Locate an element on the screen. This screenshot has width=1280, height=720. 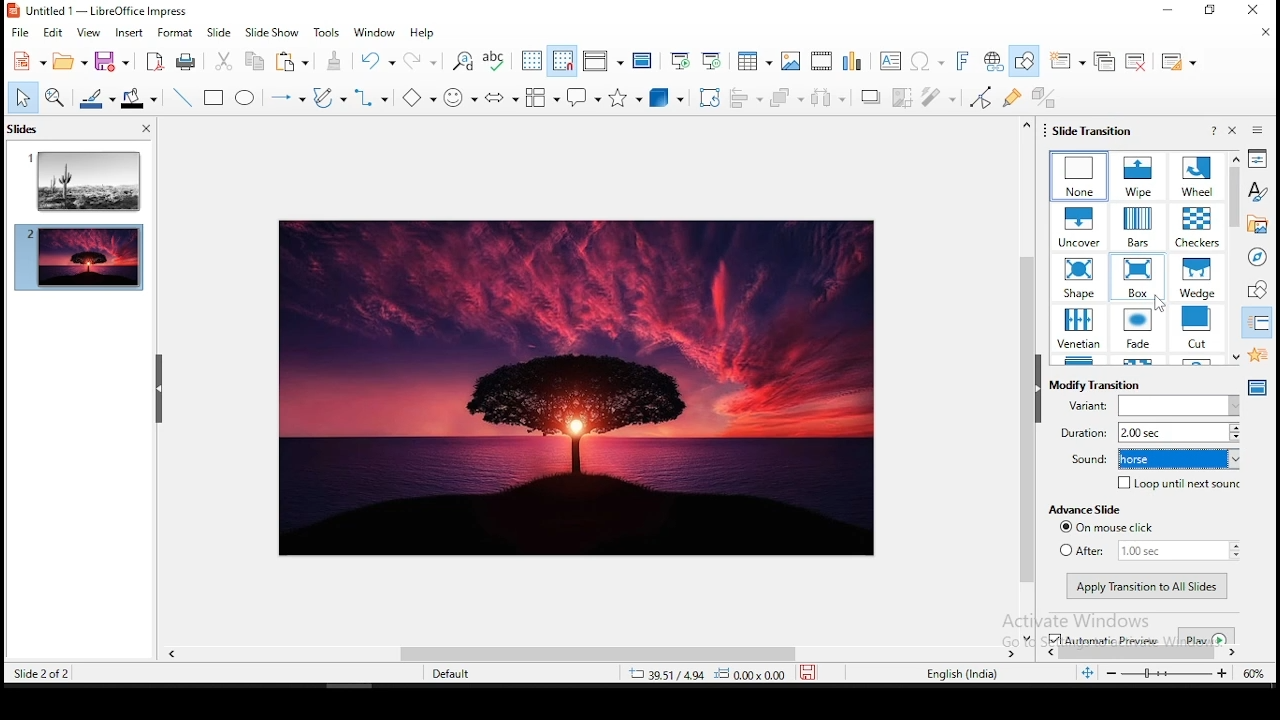
scroll bar is located at coordinates (683, 654).